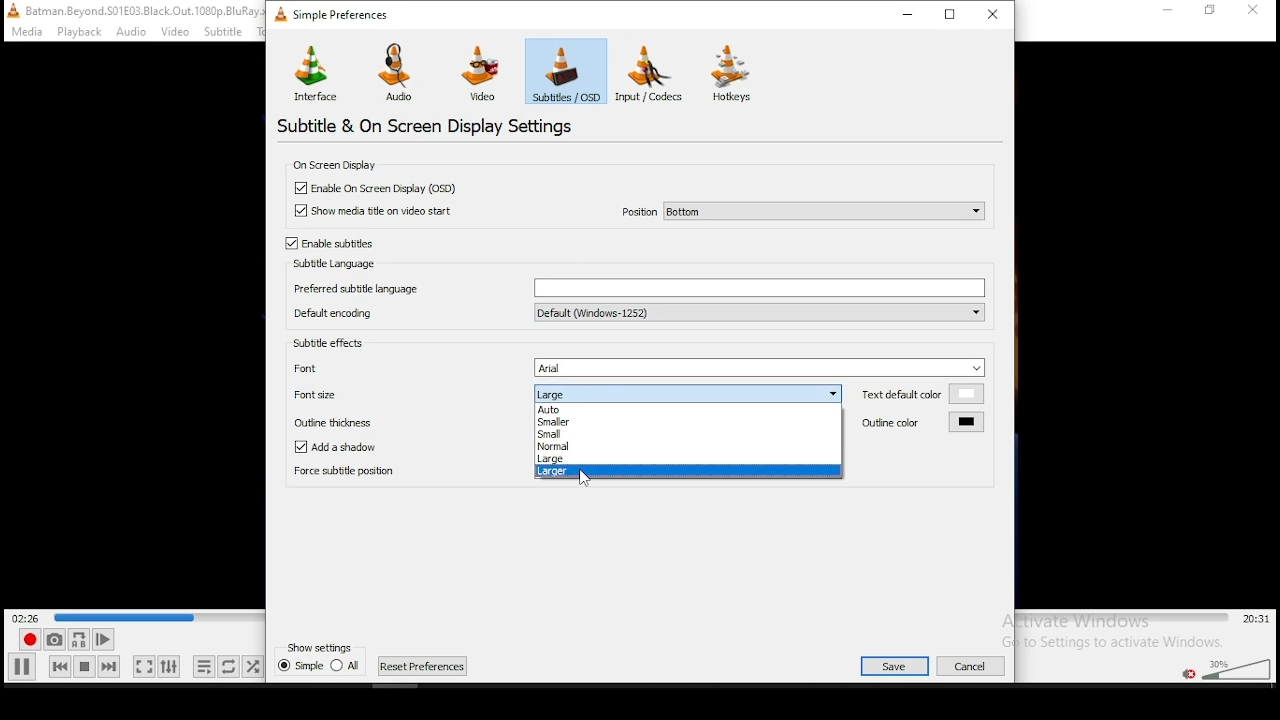 The image size is (1280, 720). What do you see at coordinates (688, 472) in the screenshot?
I see `larger` at bounding box center [688, 472].